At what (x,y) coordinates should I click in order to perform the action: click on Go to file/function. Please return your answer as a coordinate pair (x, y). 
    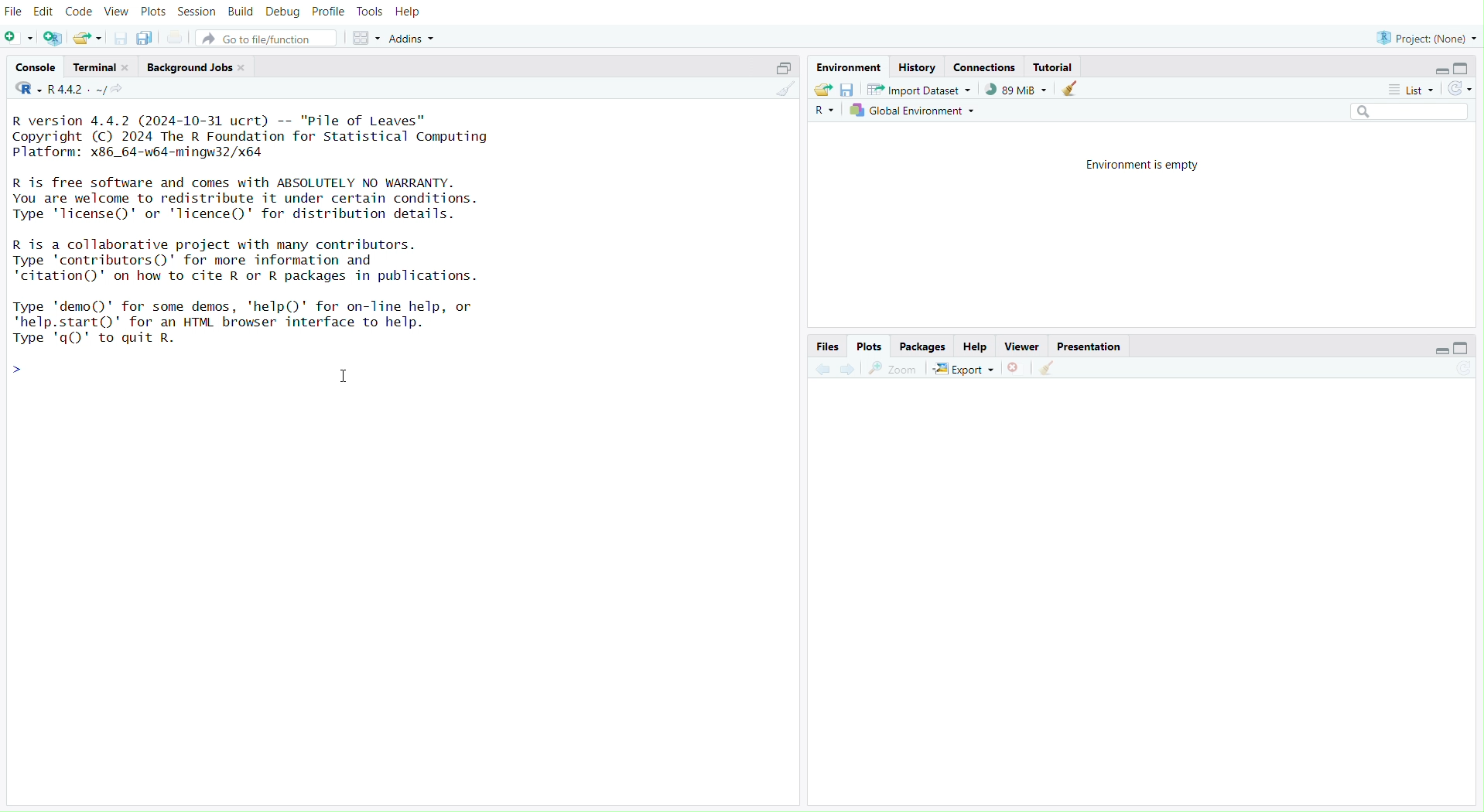
    Looking at the image, I should click on (272, 36).